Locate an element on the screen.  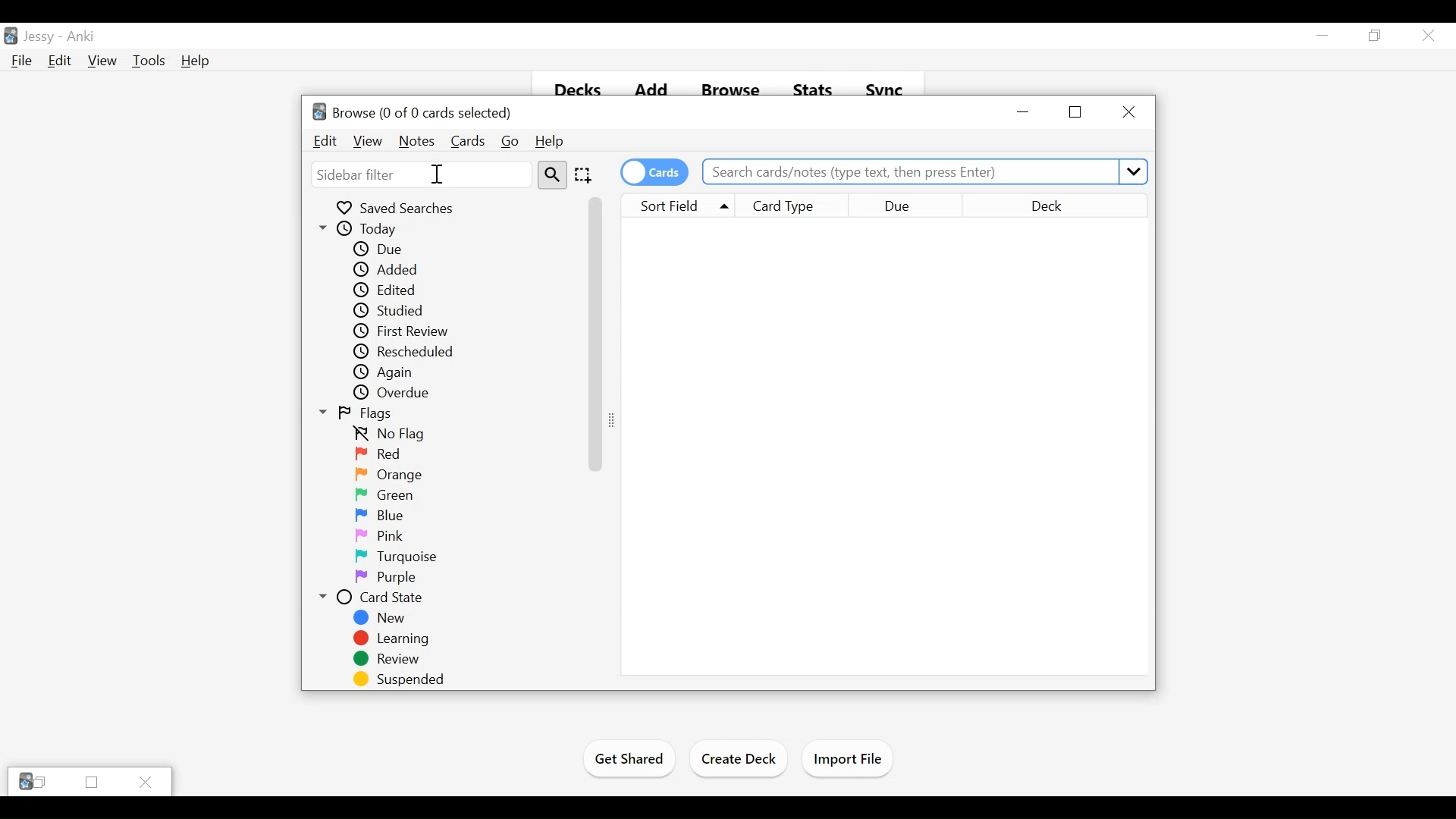
Due is located at coordinates (379, 249).